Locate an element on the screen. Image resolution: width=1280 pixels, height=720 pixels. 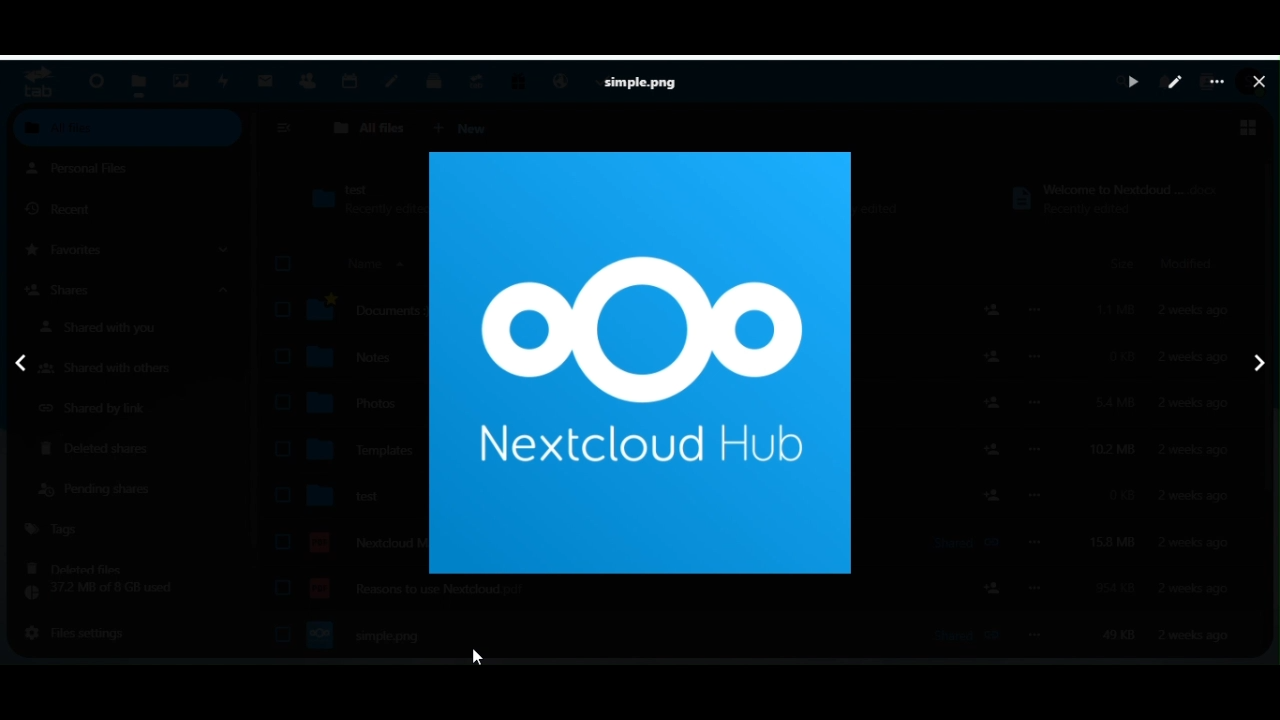
File name is located at coordinates (647, 83).